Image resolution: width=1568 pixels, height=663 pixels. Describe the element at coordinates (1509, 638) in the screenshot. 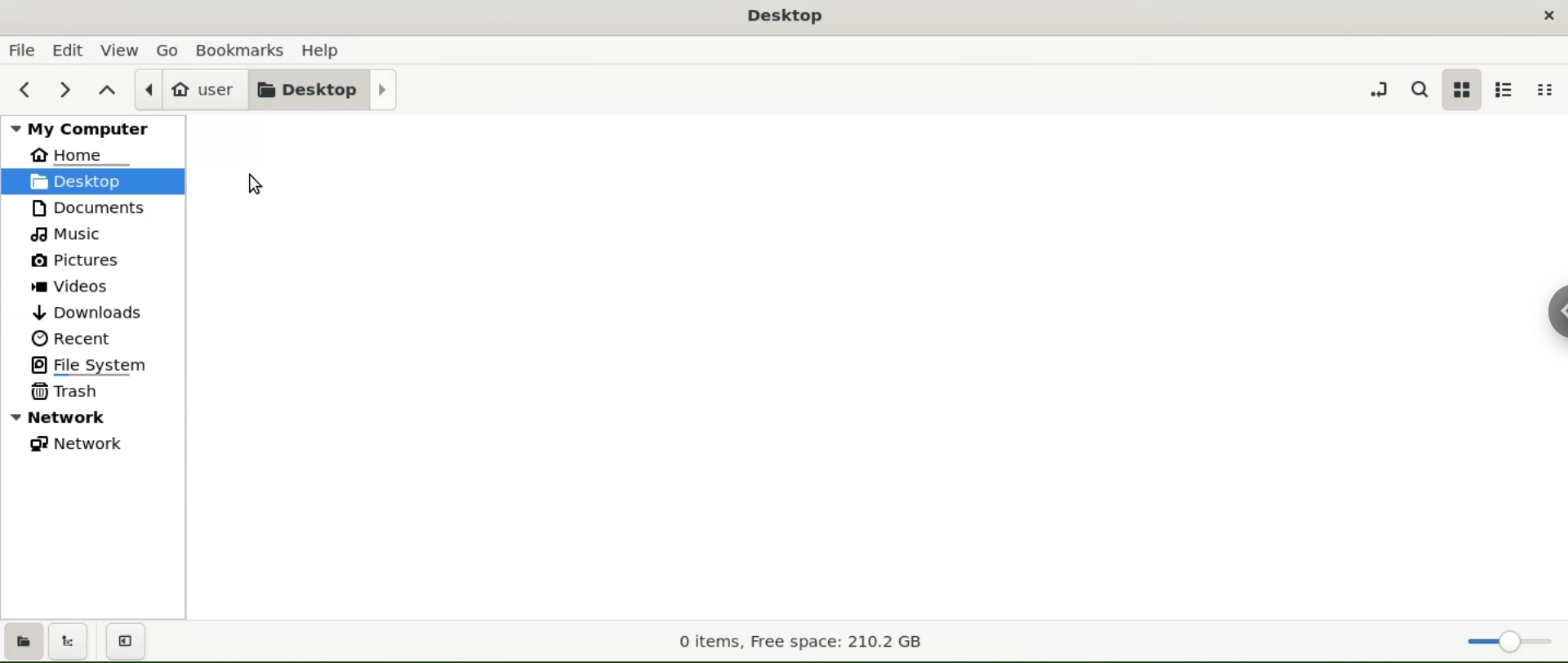

I see `zoom` at that location.